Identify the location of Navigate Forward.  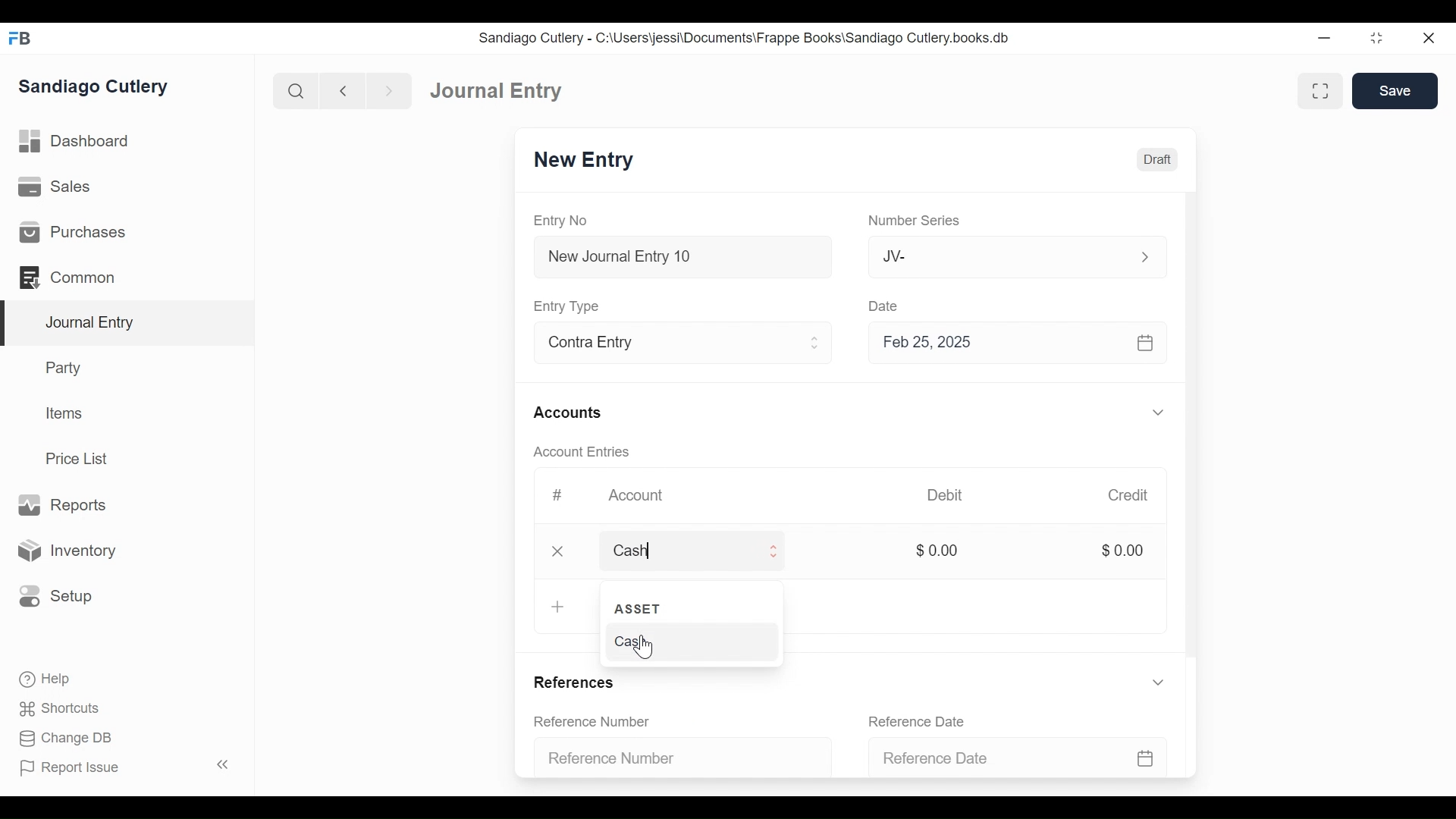
(390, 89).